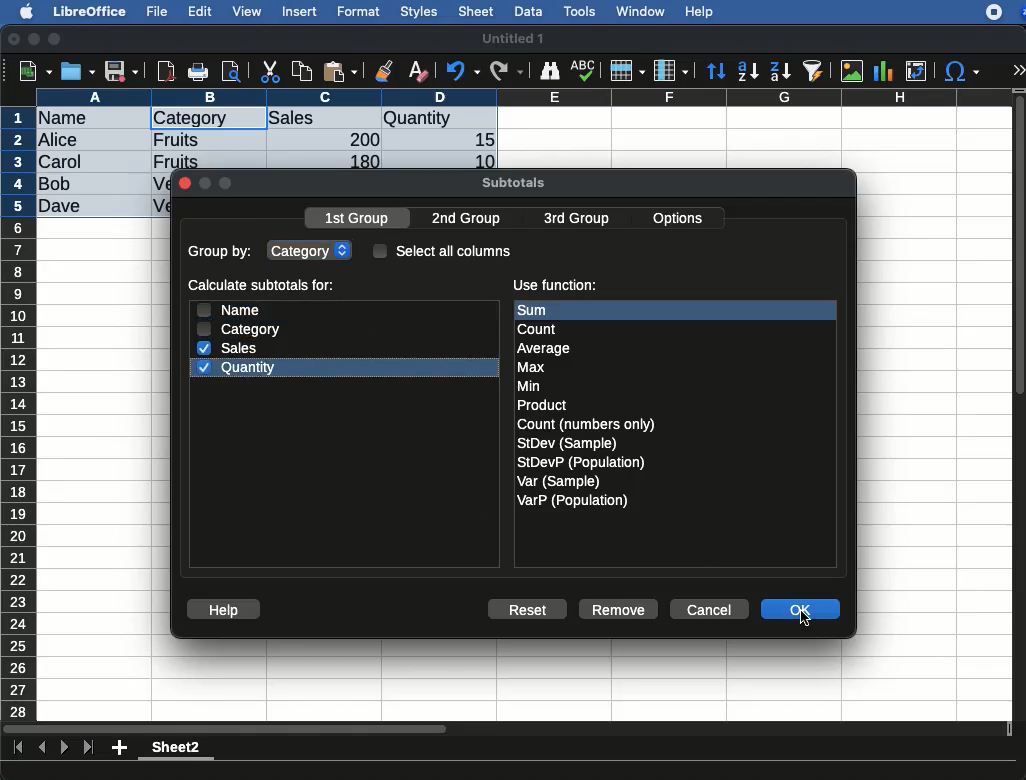  What do you see at coordinates (582, 462) in the screenshot?
I see `SitDevP (Population)` at bounding box center [582, 462].